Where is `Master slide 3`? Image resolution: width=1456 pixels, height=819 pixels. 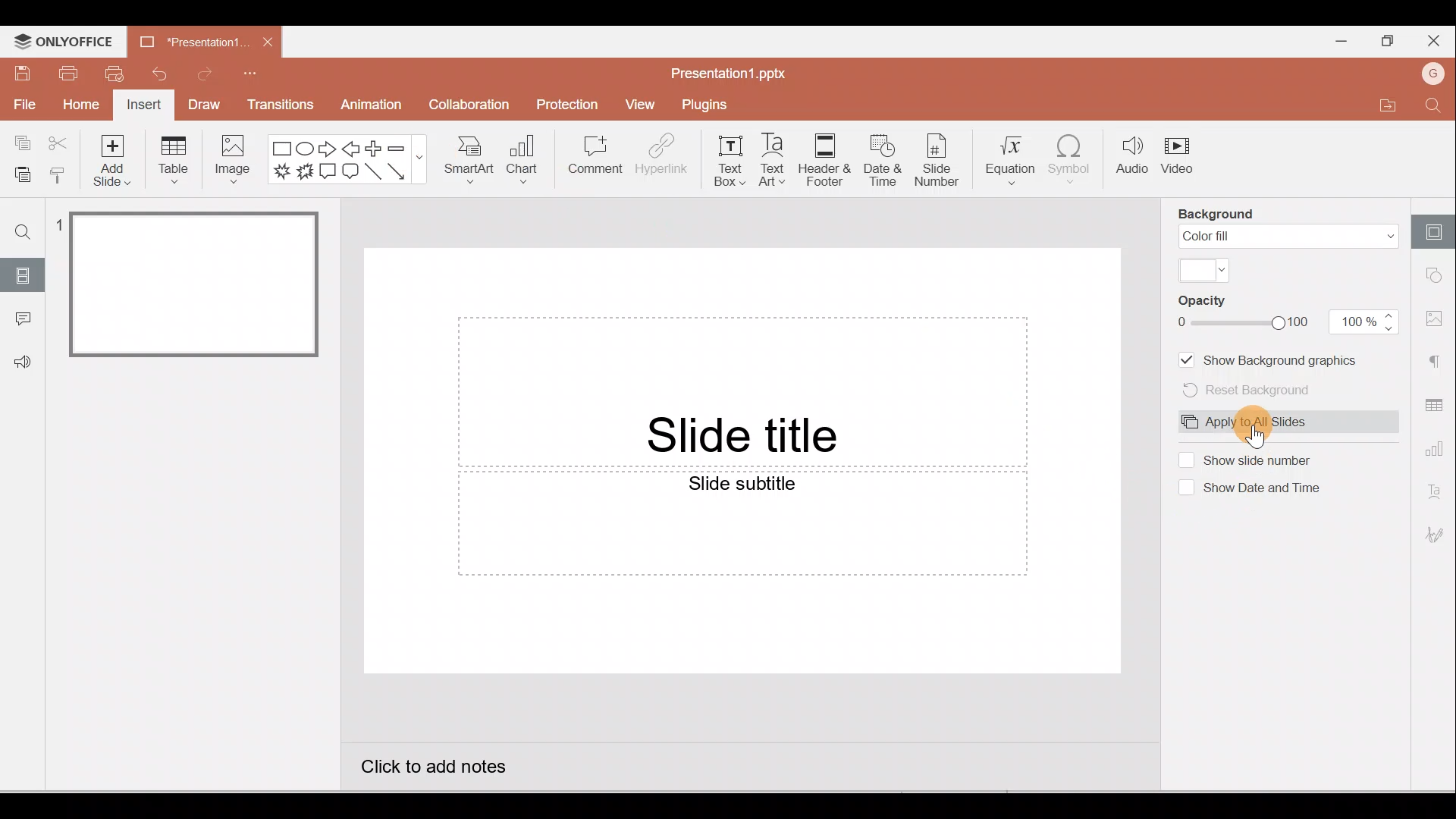
Master slide 3 is located at coordinates (212, 564).